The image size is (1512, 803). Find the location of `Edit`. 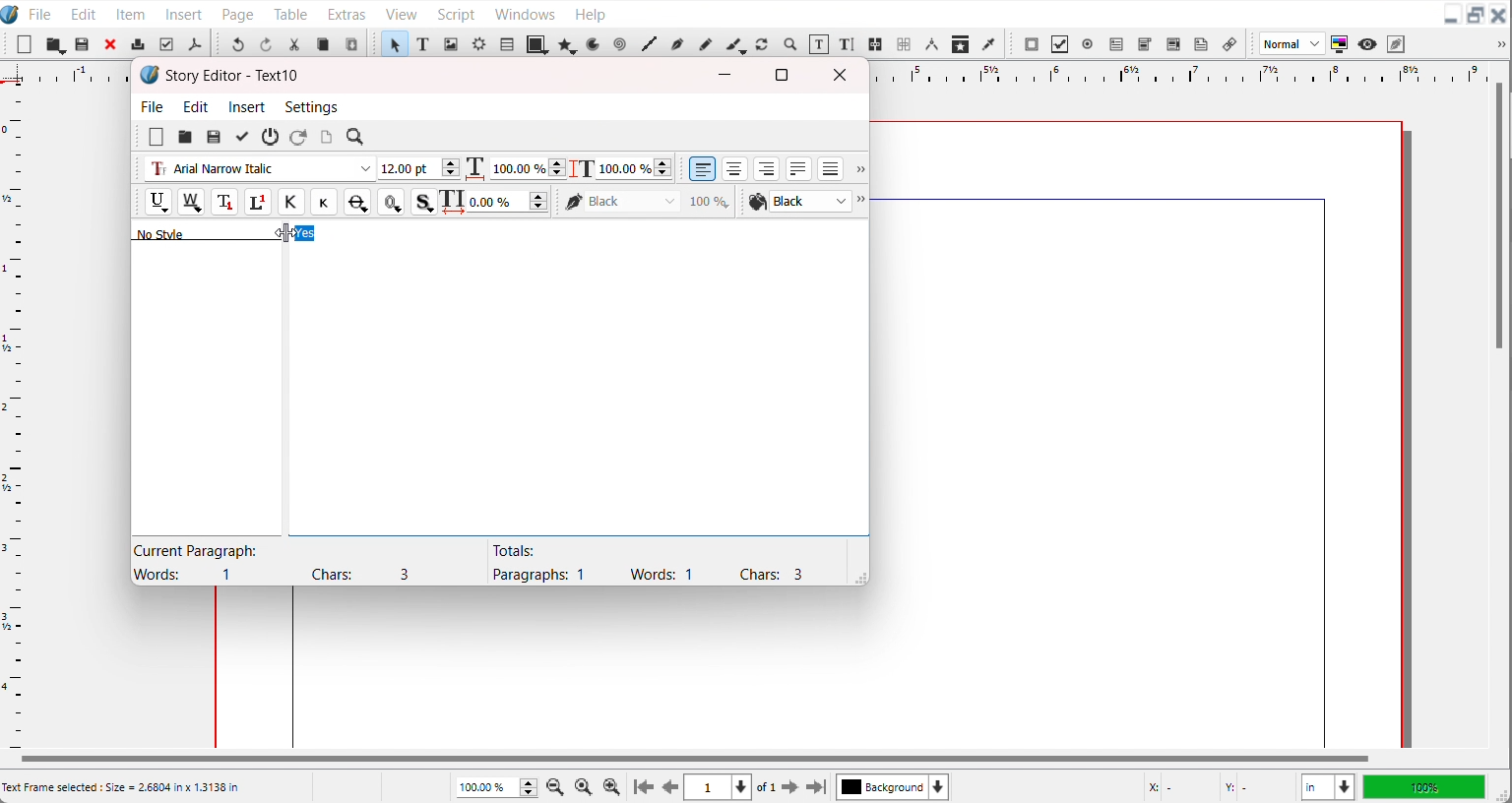

Edit is located at coordinates (81, 13).